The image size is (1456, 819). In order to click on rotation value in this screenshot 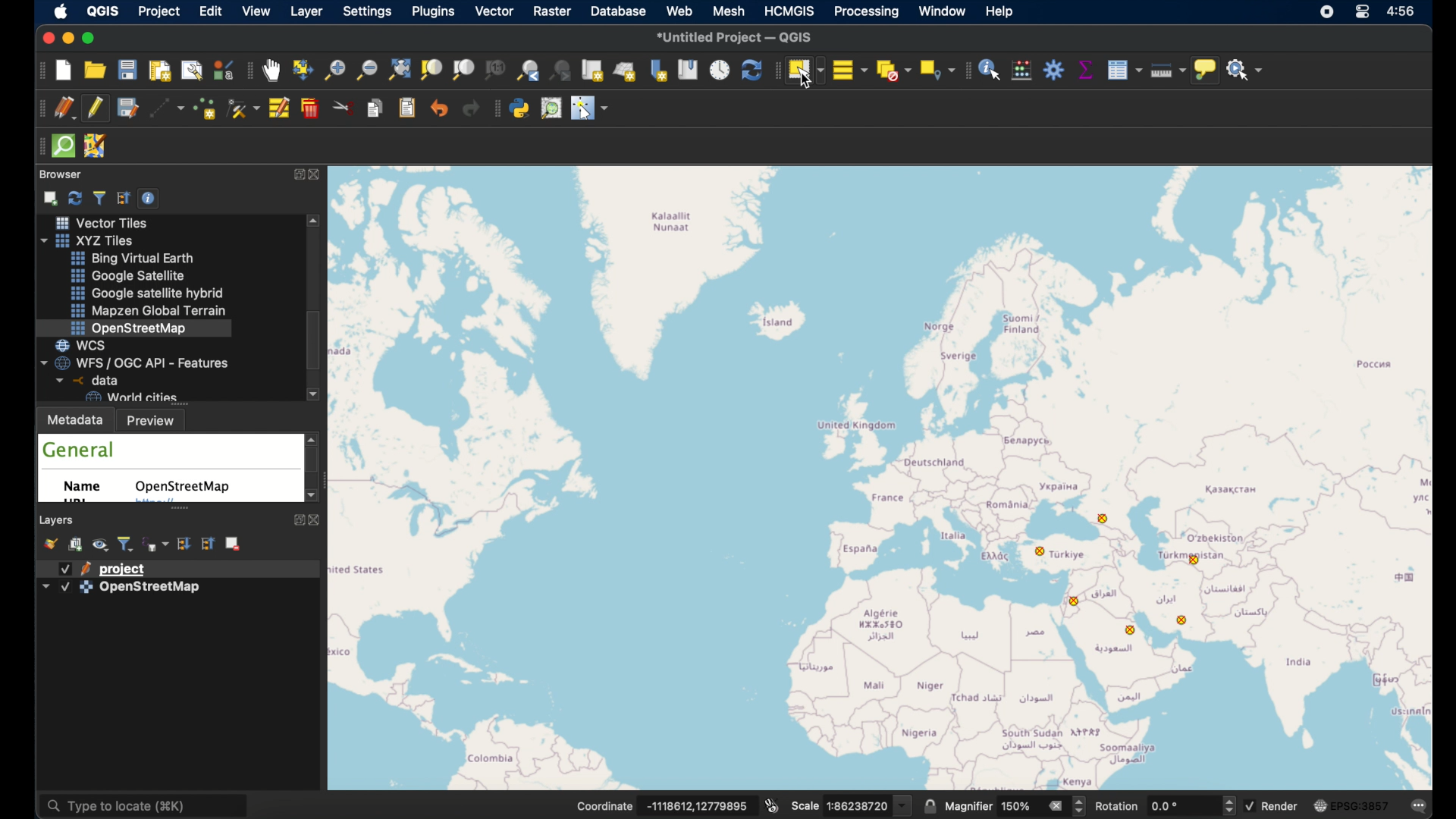, I will do `click(1168, 805)`.